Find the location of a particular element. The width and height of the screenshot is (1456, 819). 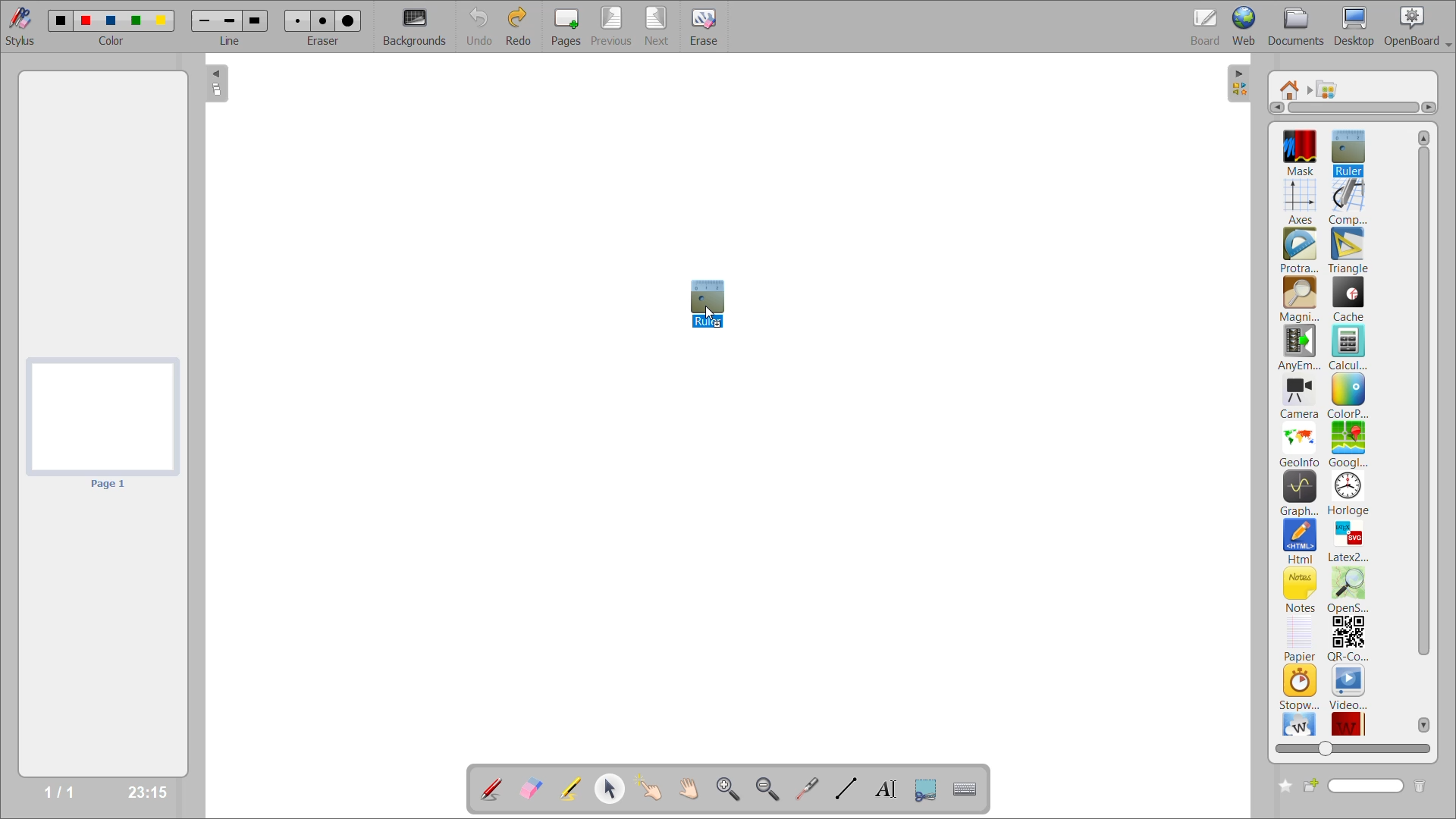

draw lines is located at coordinates (844, 788).